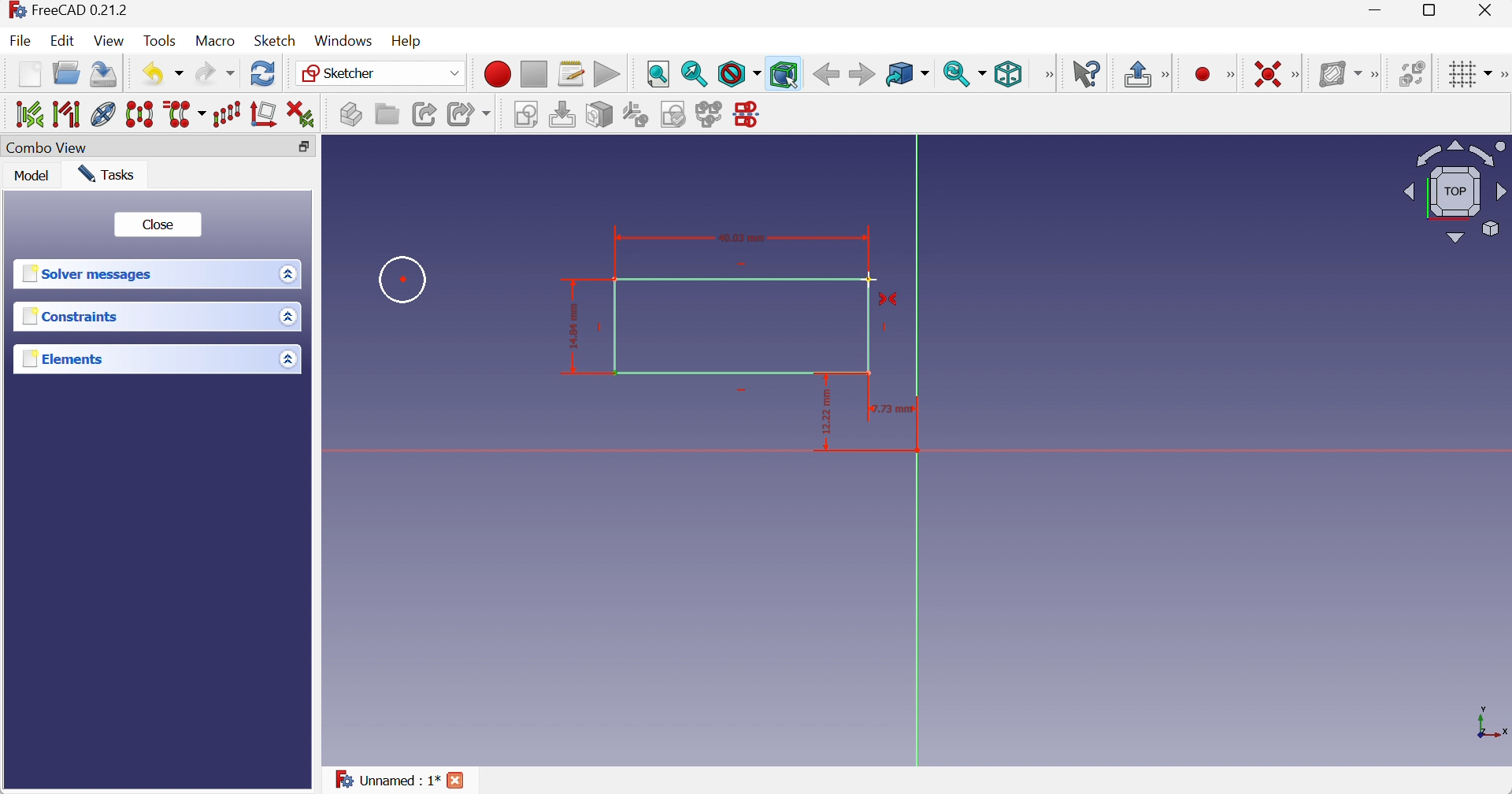  What do you see at coordinates (606, 74) in the screenshot?
I see `Execute macro` at bounding box center [606, 74].